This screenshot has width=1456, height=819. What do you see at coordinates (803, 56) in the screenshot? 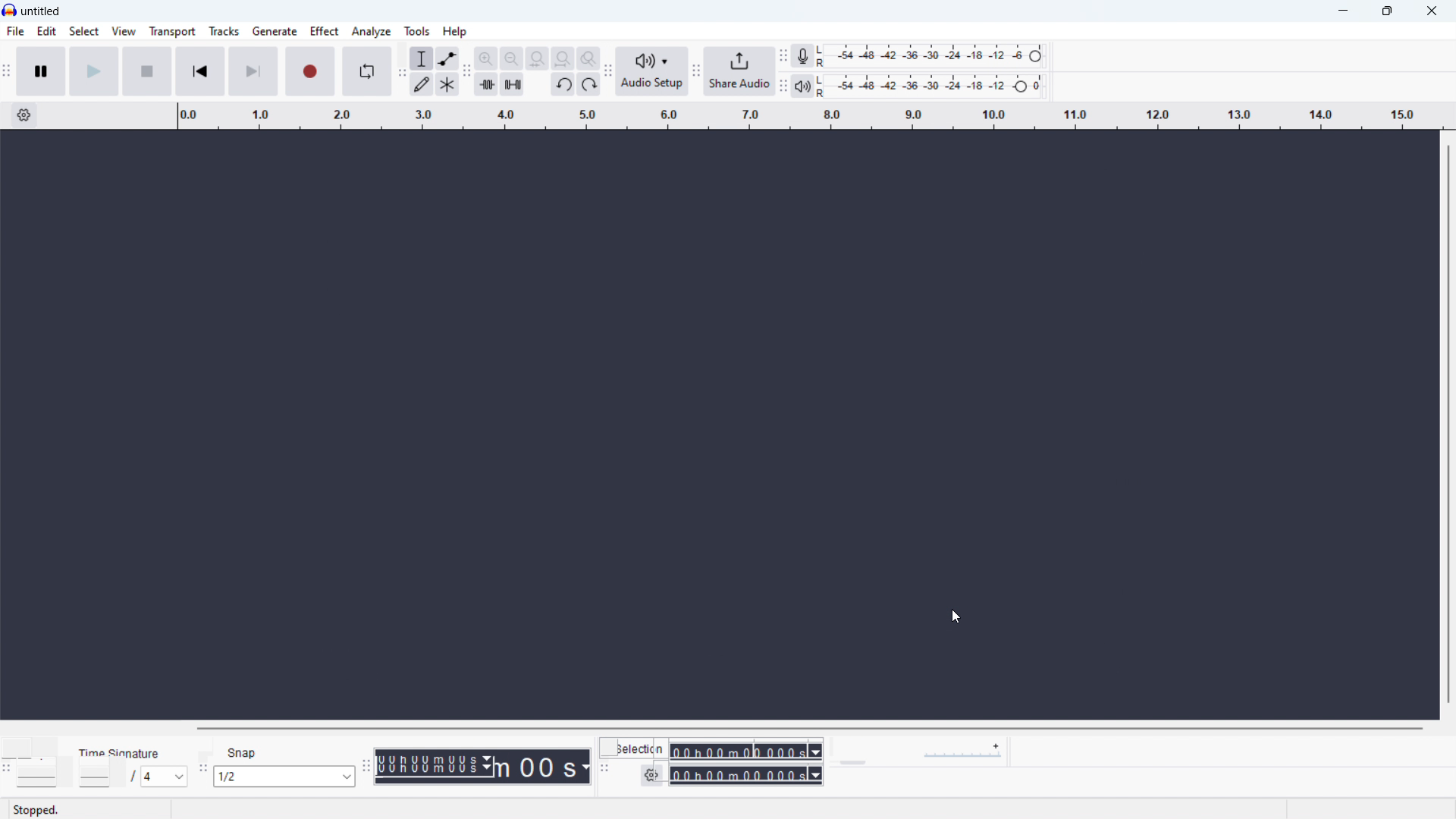
I see `recording meter` at bounding box center [803, 56].